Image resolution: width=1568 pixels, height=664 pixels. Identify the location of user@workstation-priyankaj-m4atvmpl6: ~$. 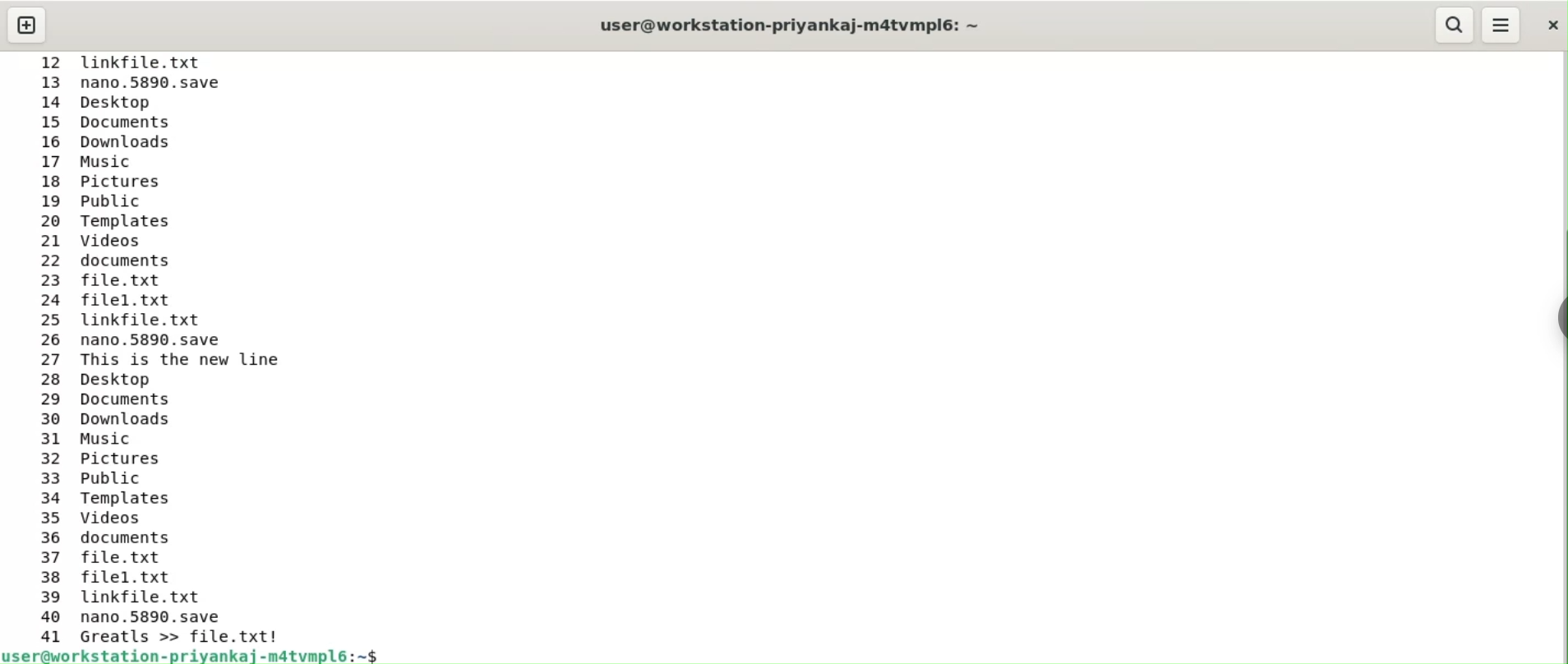
(202, 656).